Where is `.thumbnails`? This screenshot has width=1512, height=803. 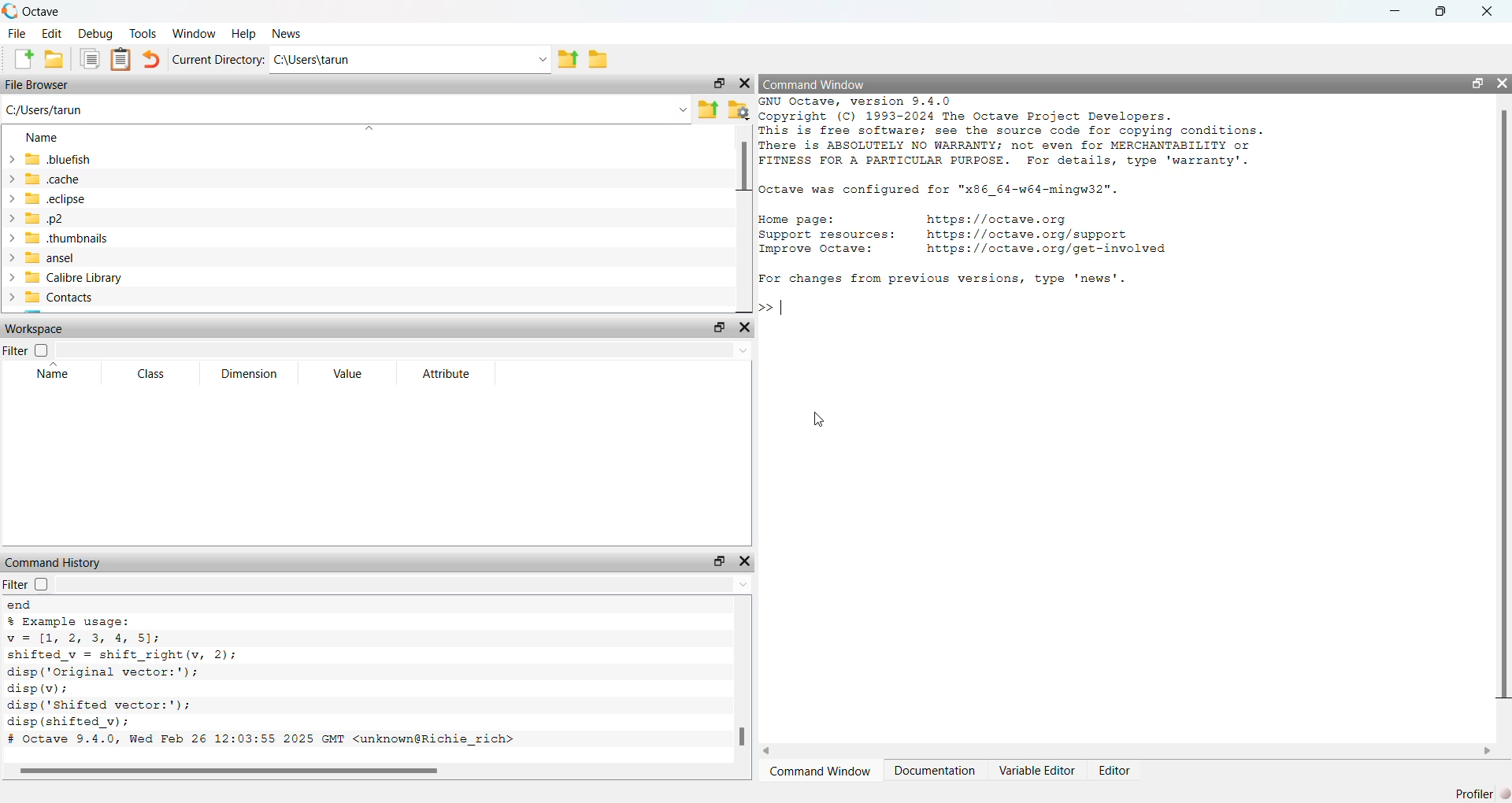
.thumbnails is located at coordinates (118, 239).